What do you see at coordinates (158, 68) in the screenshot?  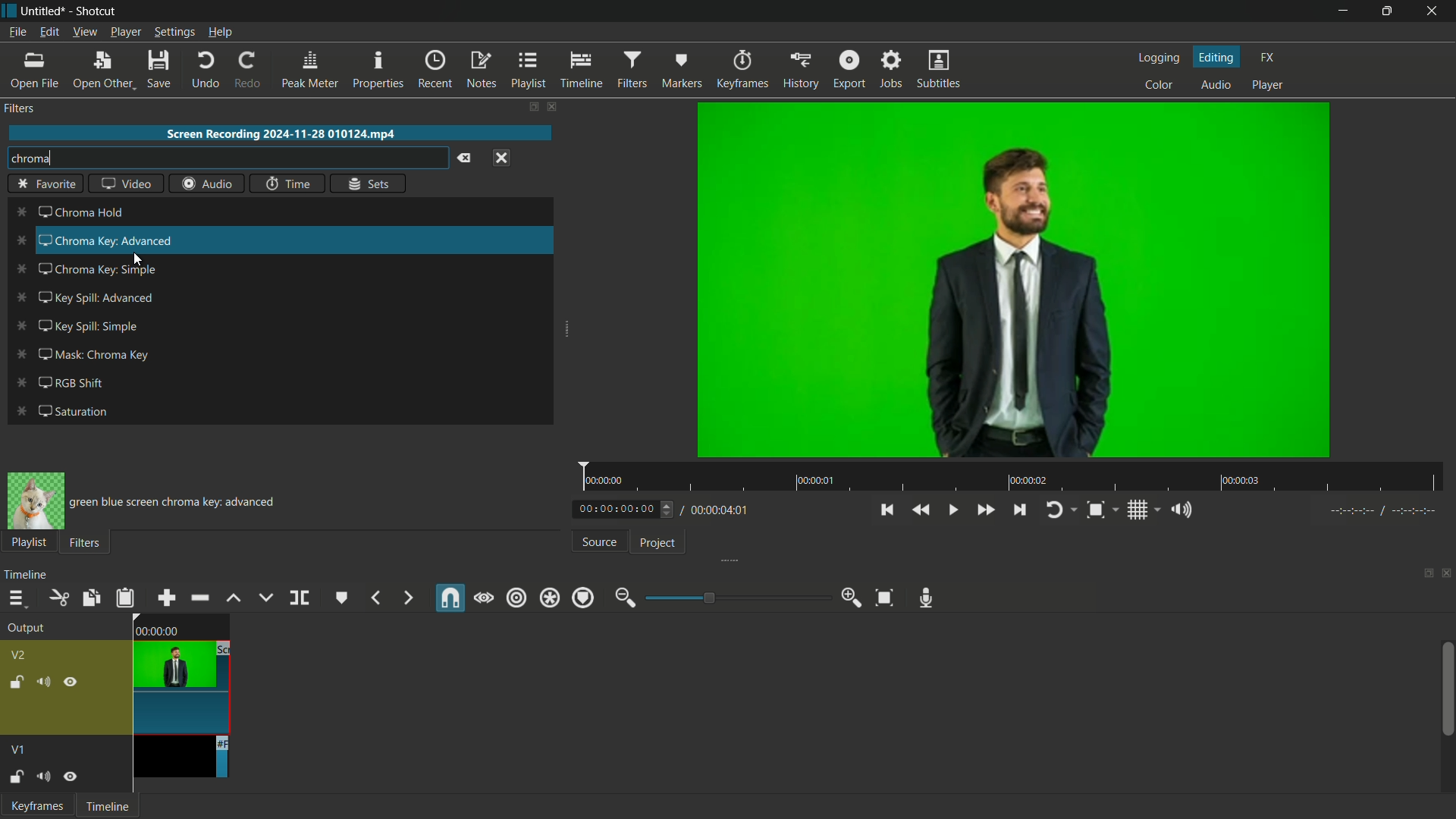 I see `save` at bounding box center [158, 68].